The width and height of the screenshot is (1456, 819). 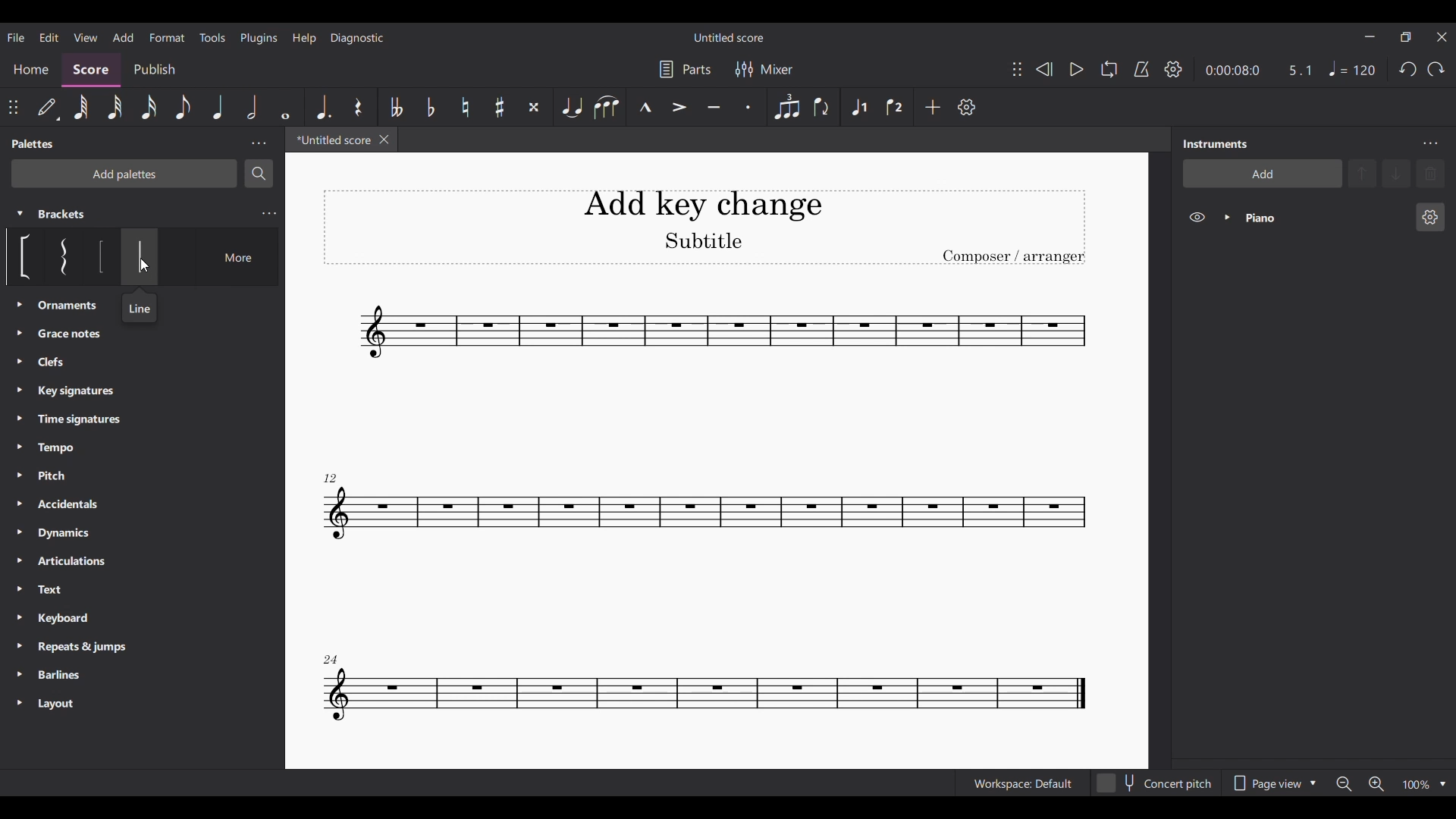 What do you see at coordinates (1077, 69) in the screenshot?
I see `Play` at bounding box center [1077, 69].